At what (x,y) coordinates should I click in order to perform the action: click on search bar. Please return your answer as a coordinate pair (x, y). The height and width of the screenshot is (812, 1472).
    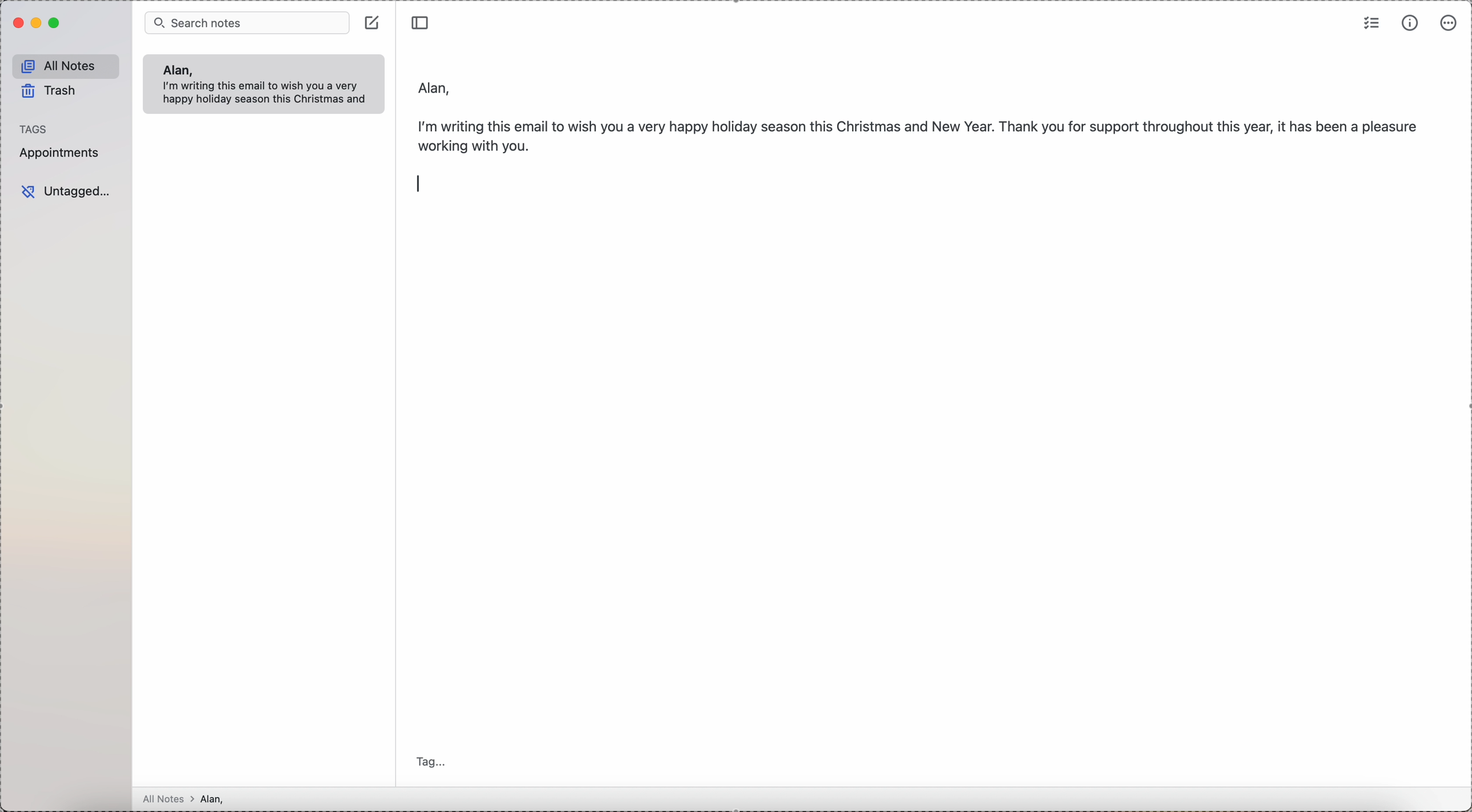
    Looking at the image, I should click on (247, 22).